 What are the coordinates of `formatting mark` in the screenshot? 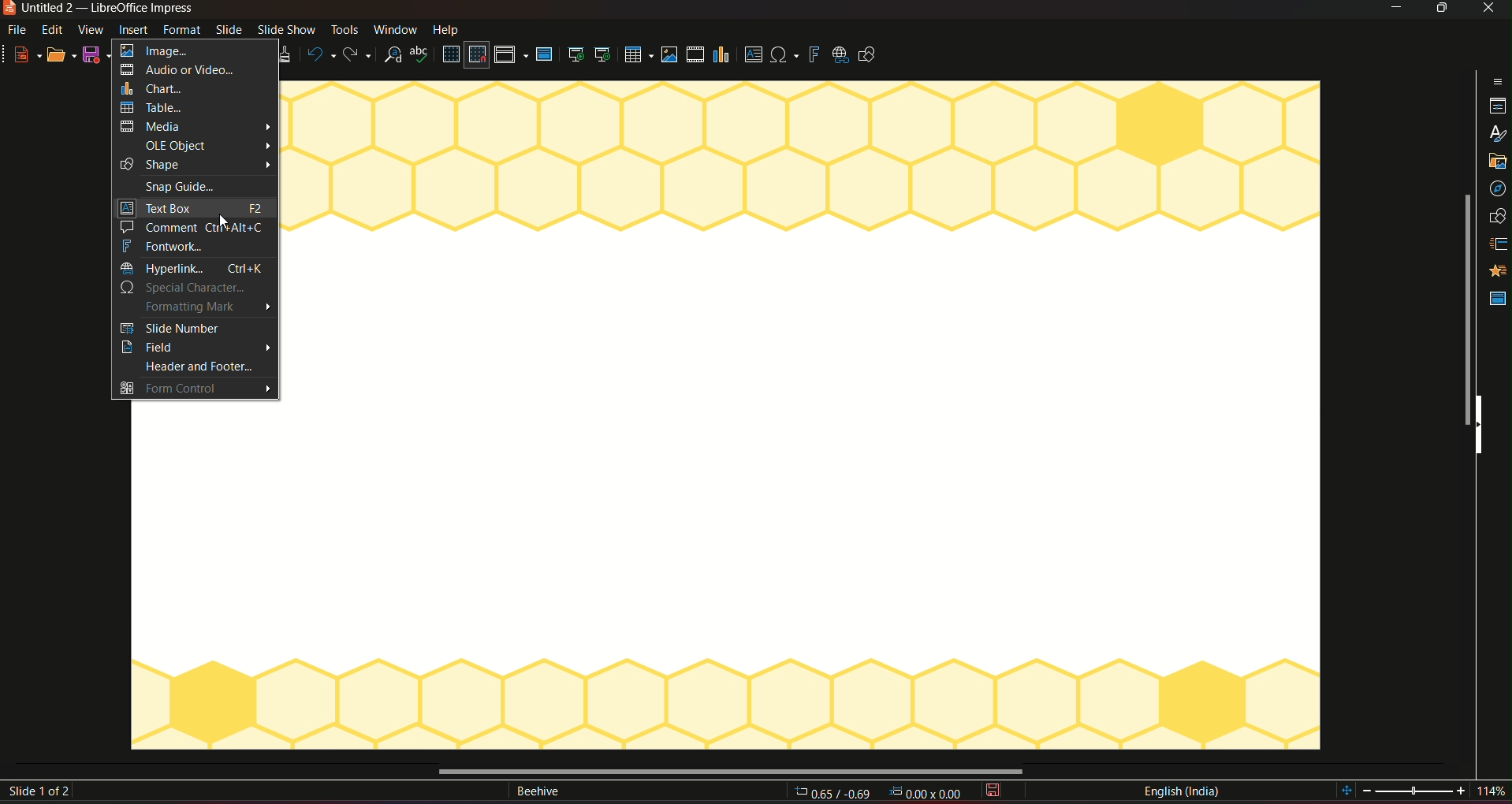 It's located at (193, 307).